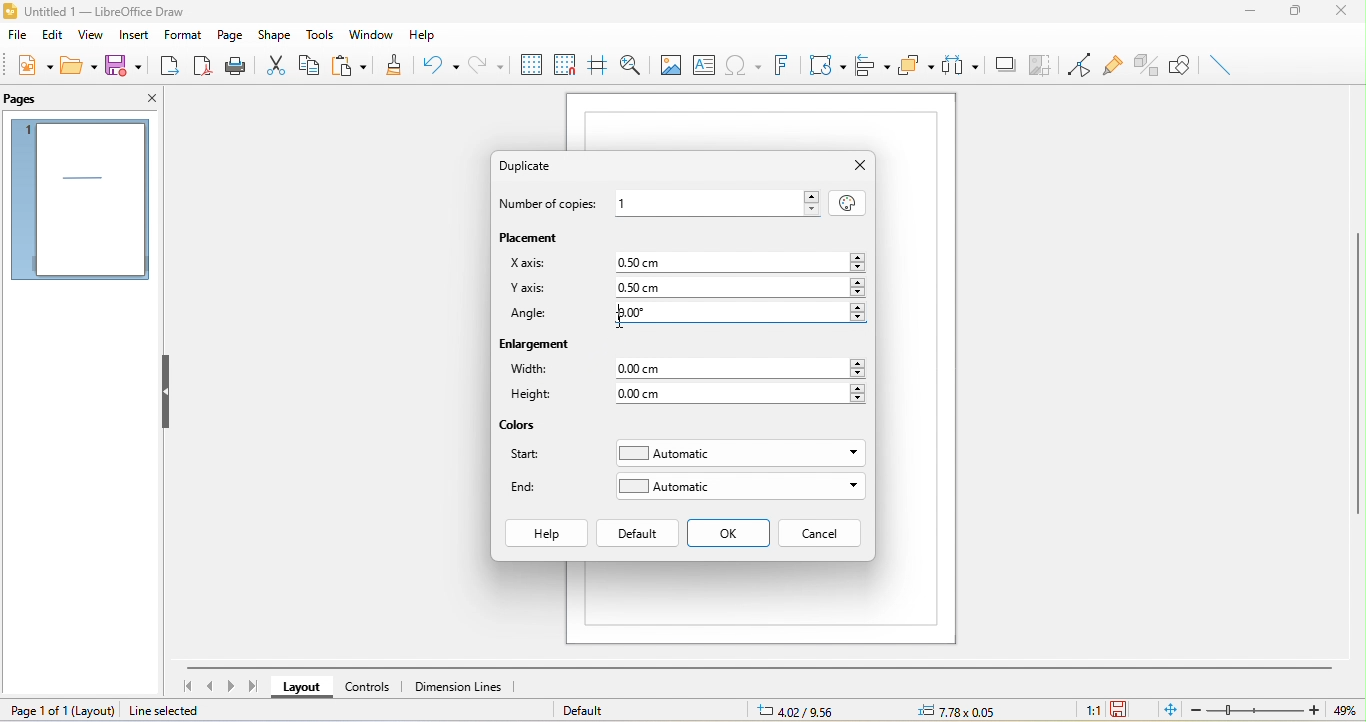 The height and width of the screenshot is (722, 1366). Describe the element at coordinates (718, 201) in the screenshot. I see `1` at that location.